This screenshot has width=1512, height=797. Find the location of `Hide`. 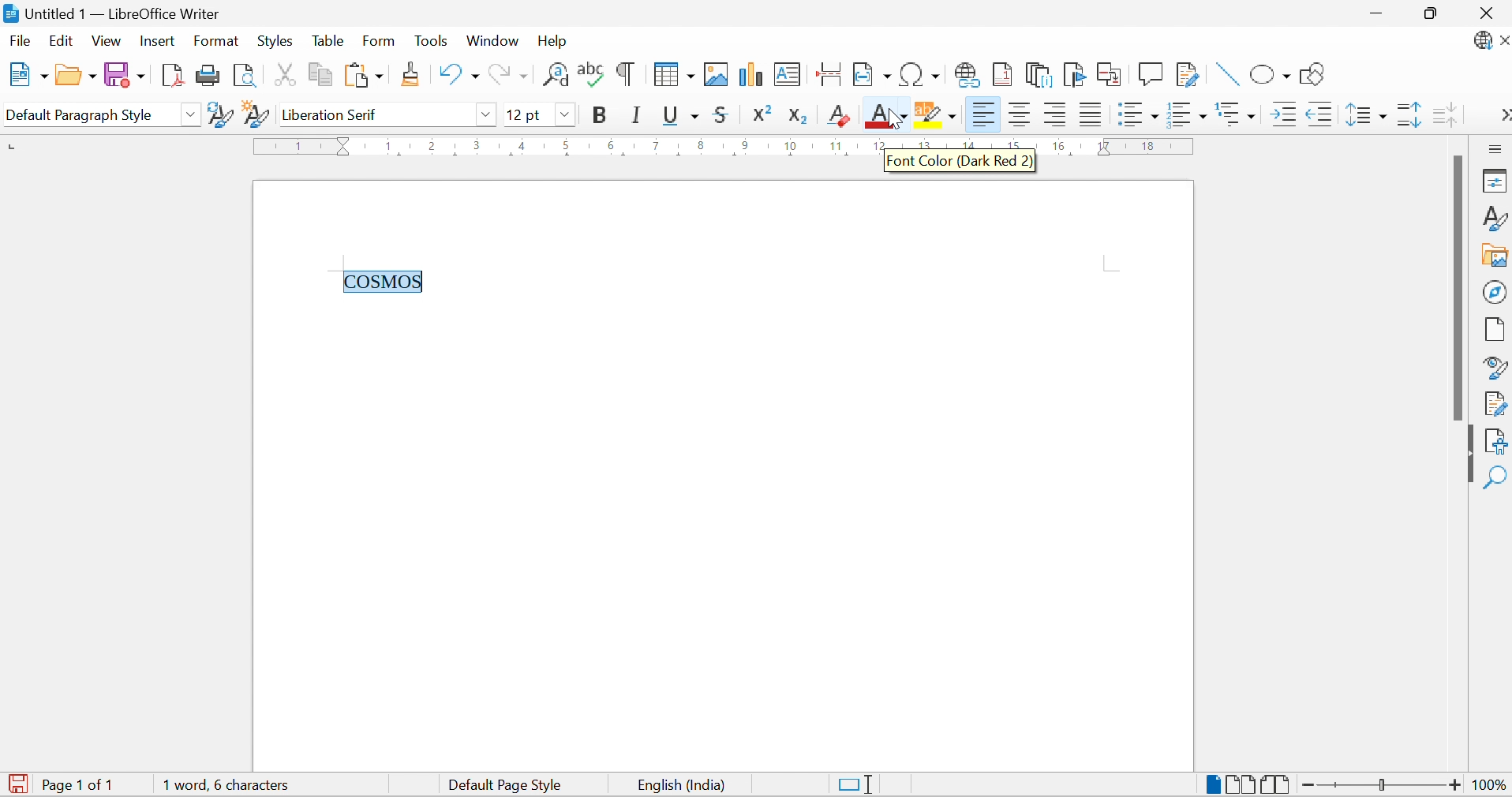

Hide is located at coordinates (1467, 454).